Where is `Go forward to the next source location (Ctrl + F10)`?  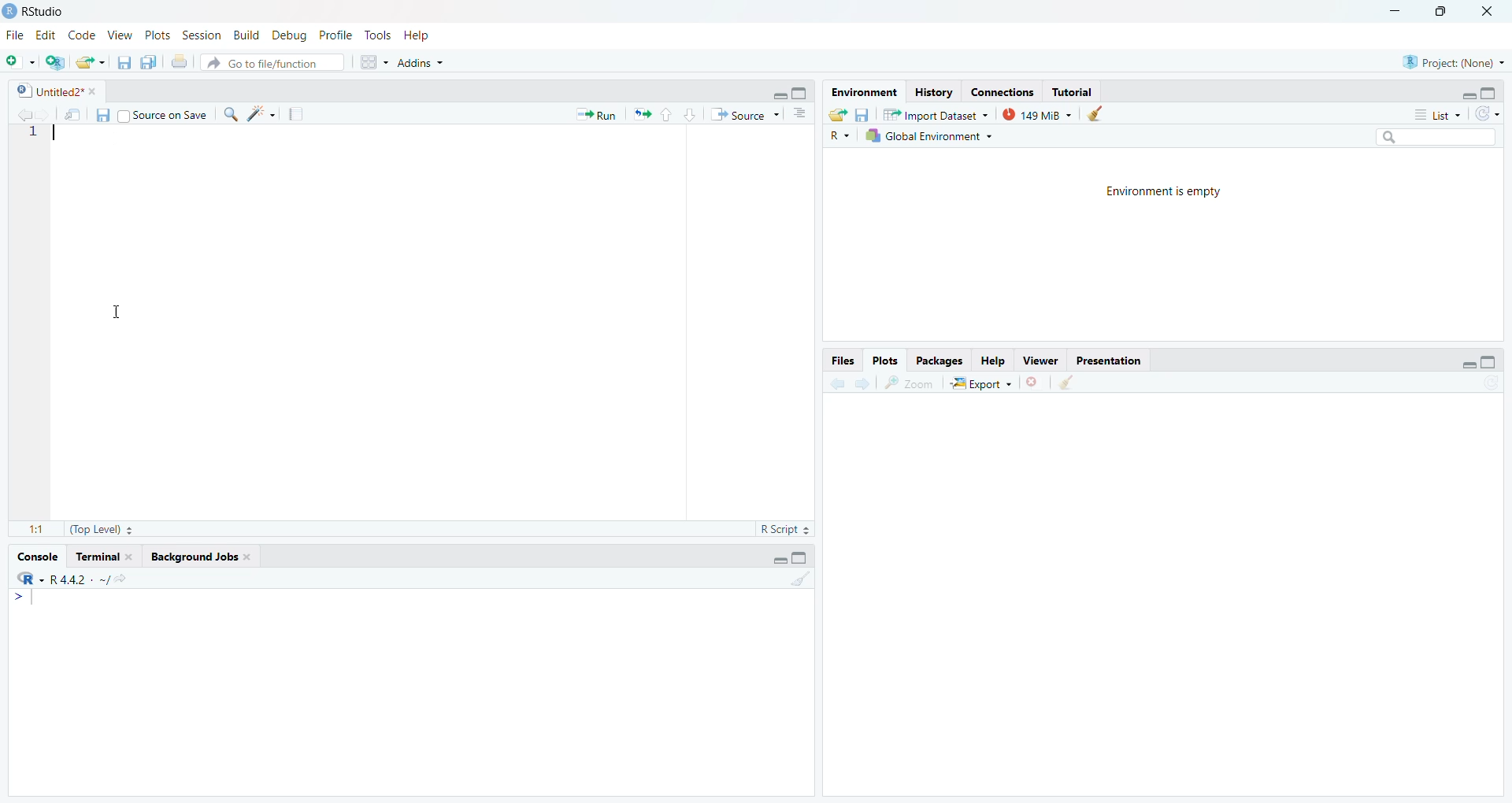
Go forward to the next source location (Ctrl + F10) is located at coordinates (863, 383).